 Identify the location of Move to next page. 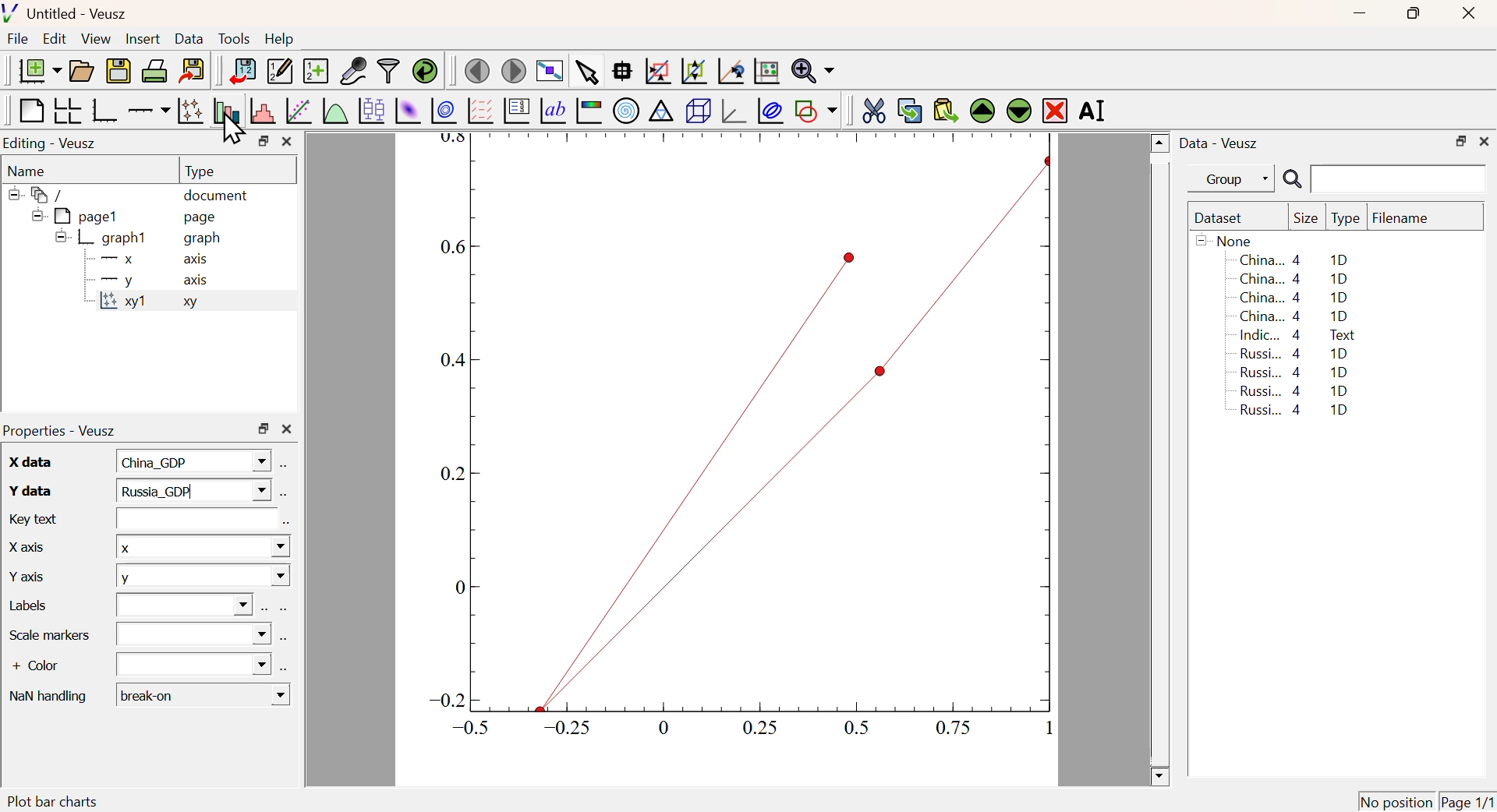
(515, 71).